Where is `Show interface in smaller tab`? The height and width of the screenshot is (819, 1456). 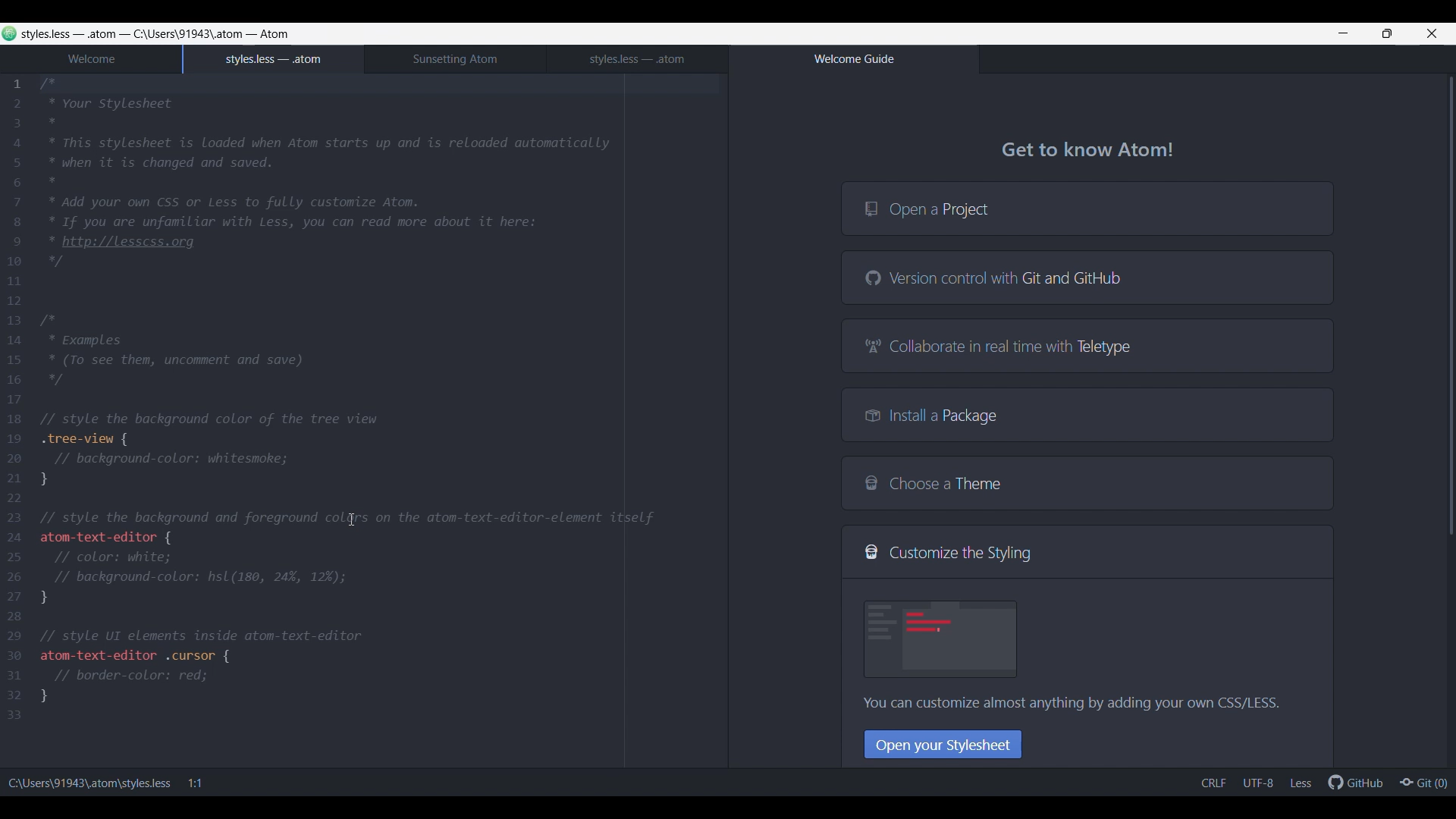
Show interface in smaller tab is located at coordinates (1387, 33).